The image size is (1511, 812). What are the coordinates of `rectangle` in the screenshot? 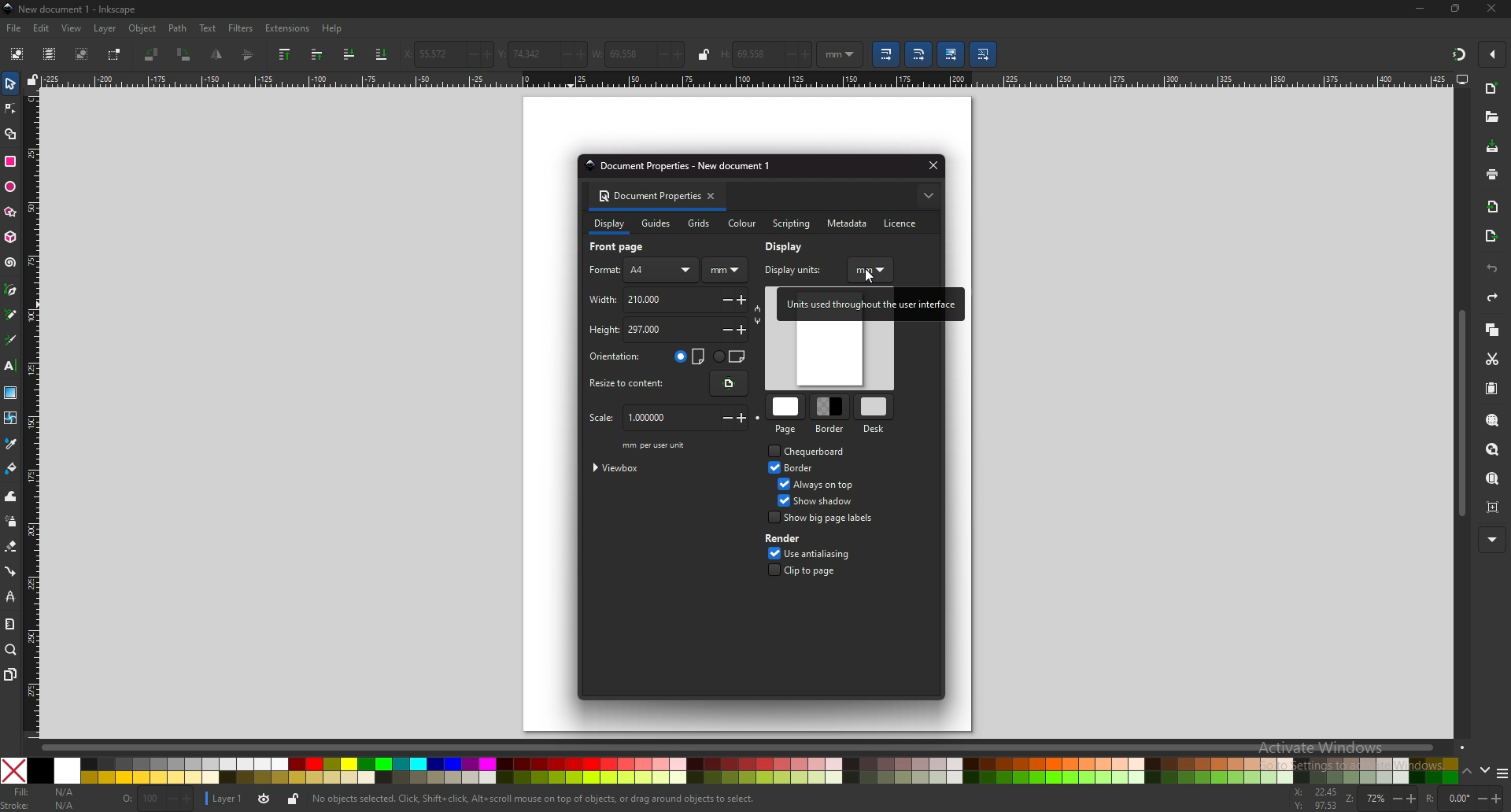 It's located at (10, 161).